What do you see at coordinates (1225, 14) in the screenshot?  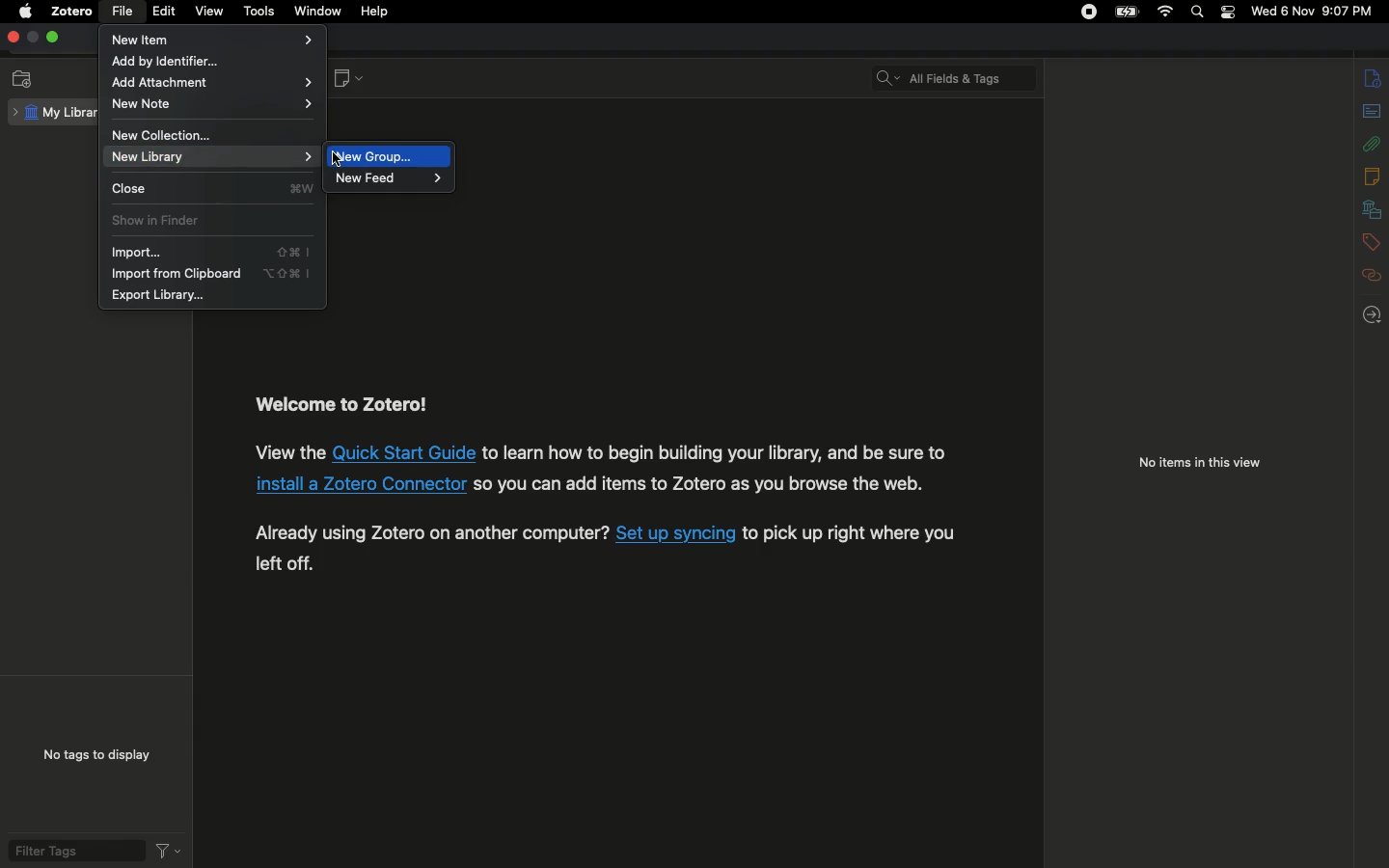 I see `Notification bar` at bounding box center [1225, 14].